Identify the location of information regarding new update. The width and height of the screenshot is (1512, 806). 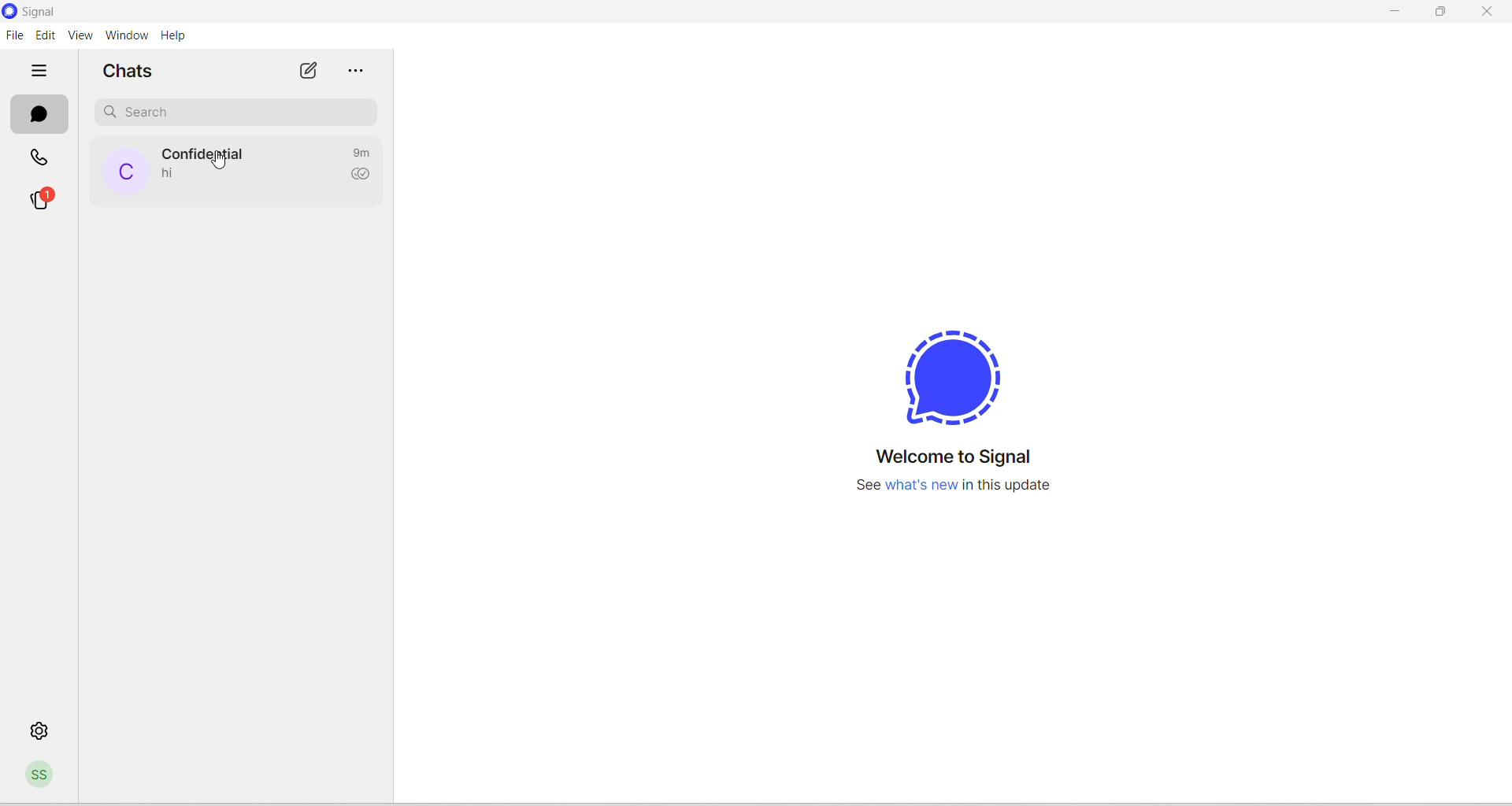
(952, 494).